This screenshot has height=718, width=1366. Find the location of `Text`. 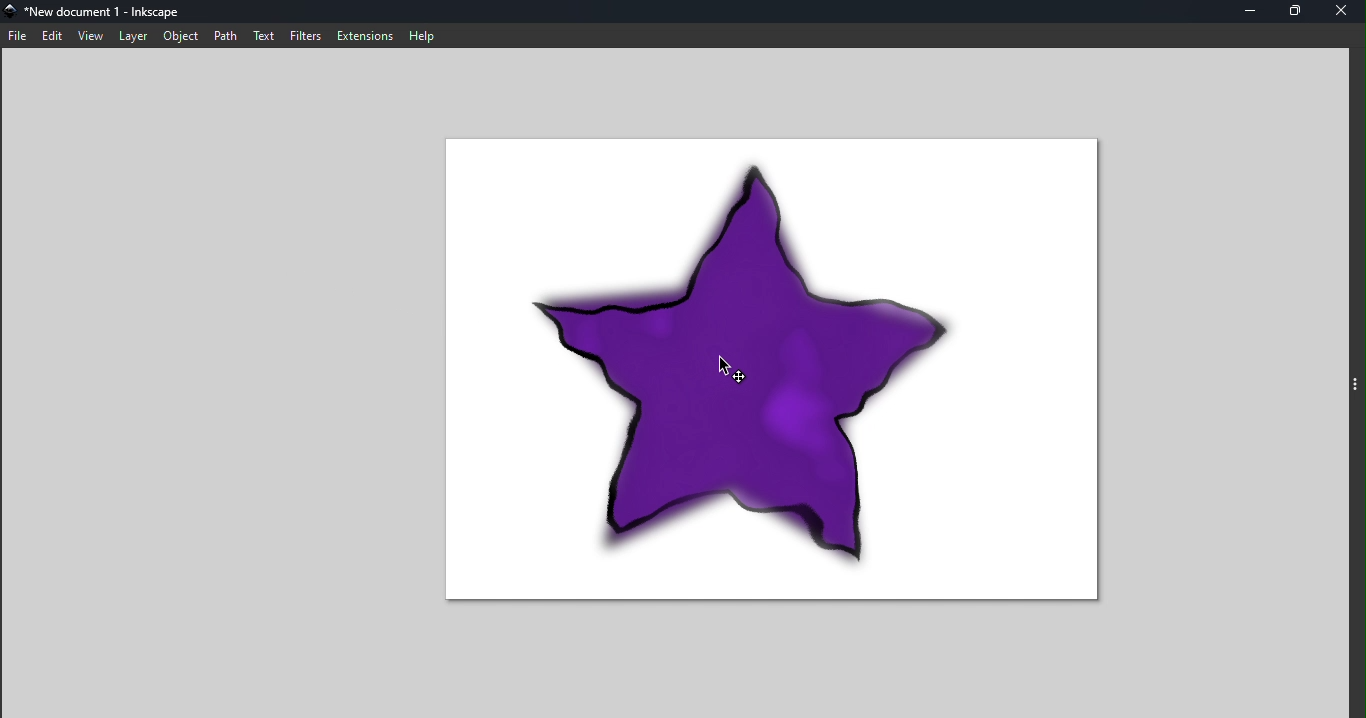

Text is located at coordinates (265, 35).